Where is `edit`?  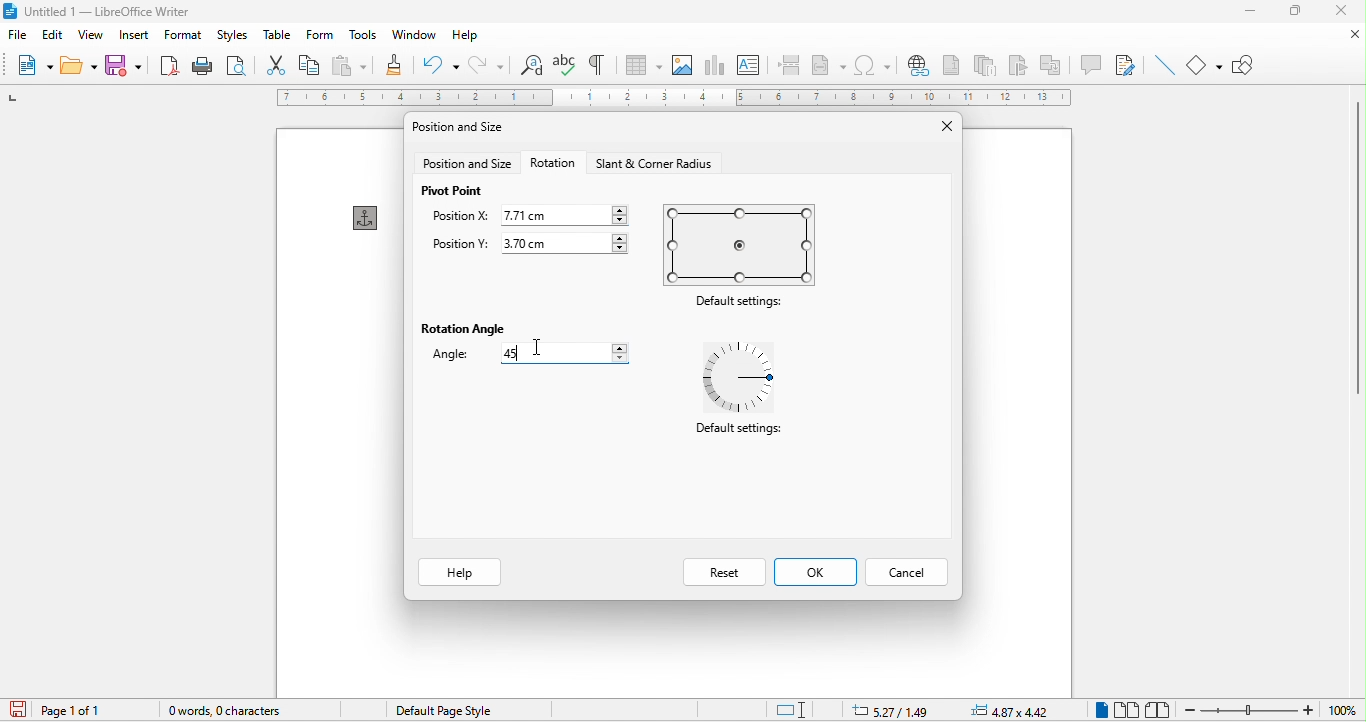 edit is located at coordinates (55, 35).